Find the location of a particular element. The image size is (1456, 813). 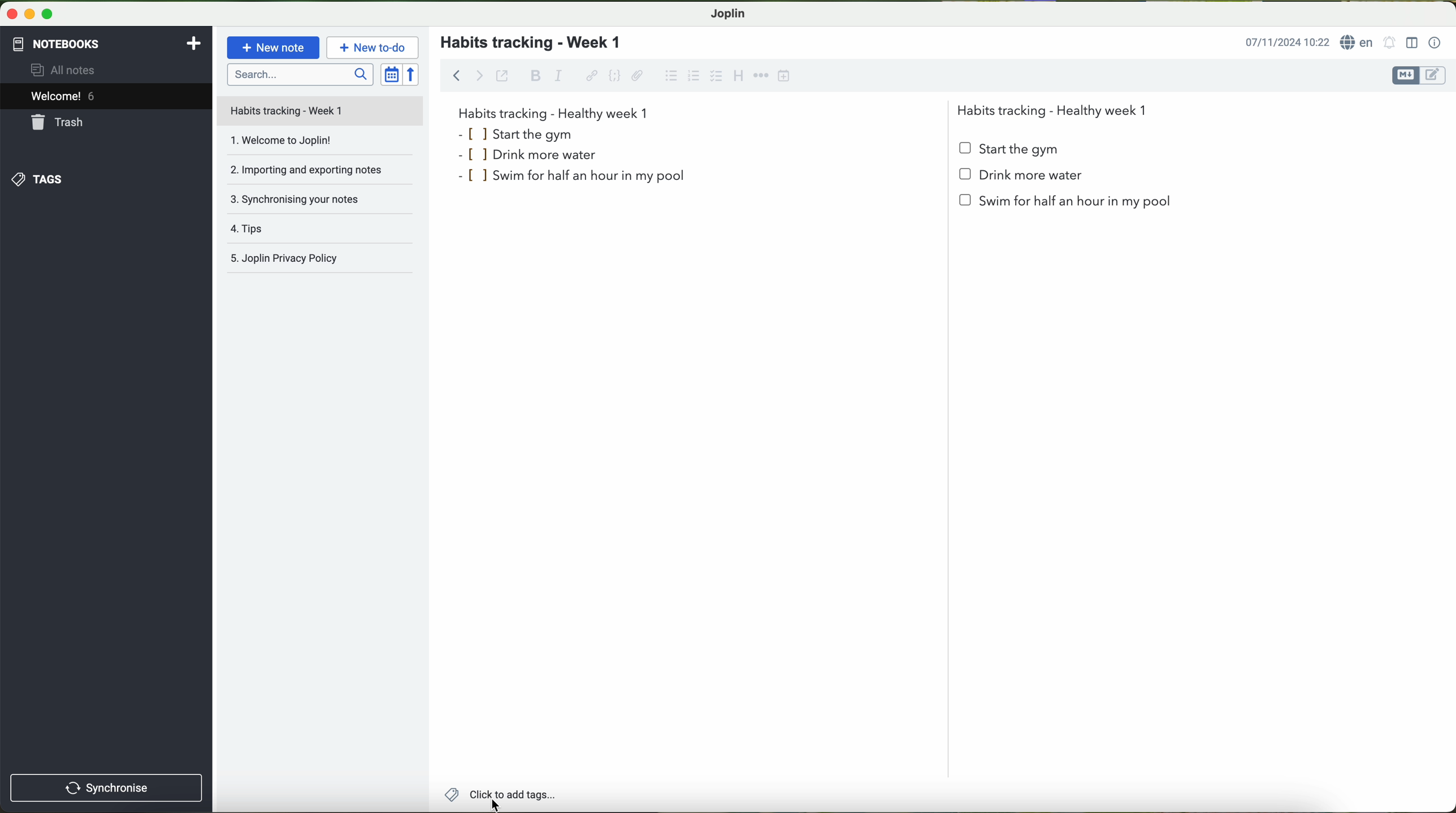

date and hour is located at coordinates (1287, 41).